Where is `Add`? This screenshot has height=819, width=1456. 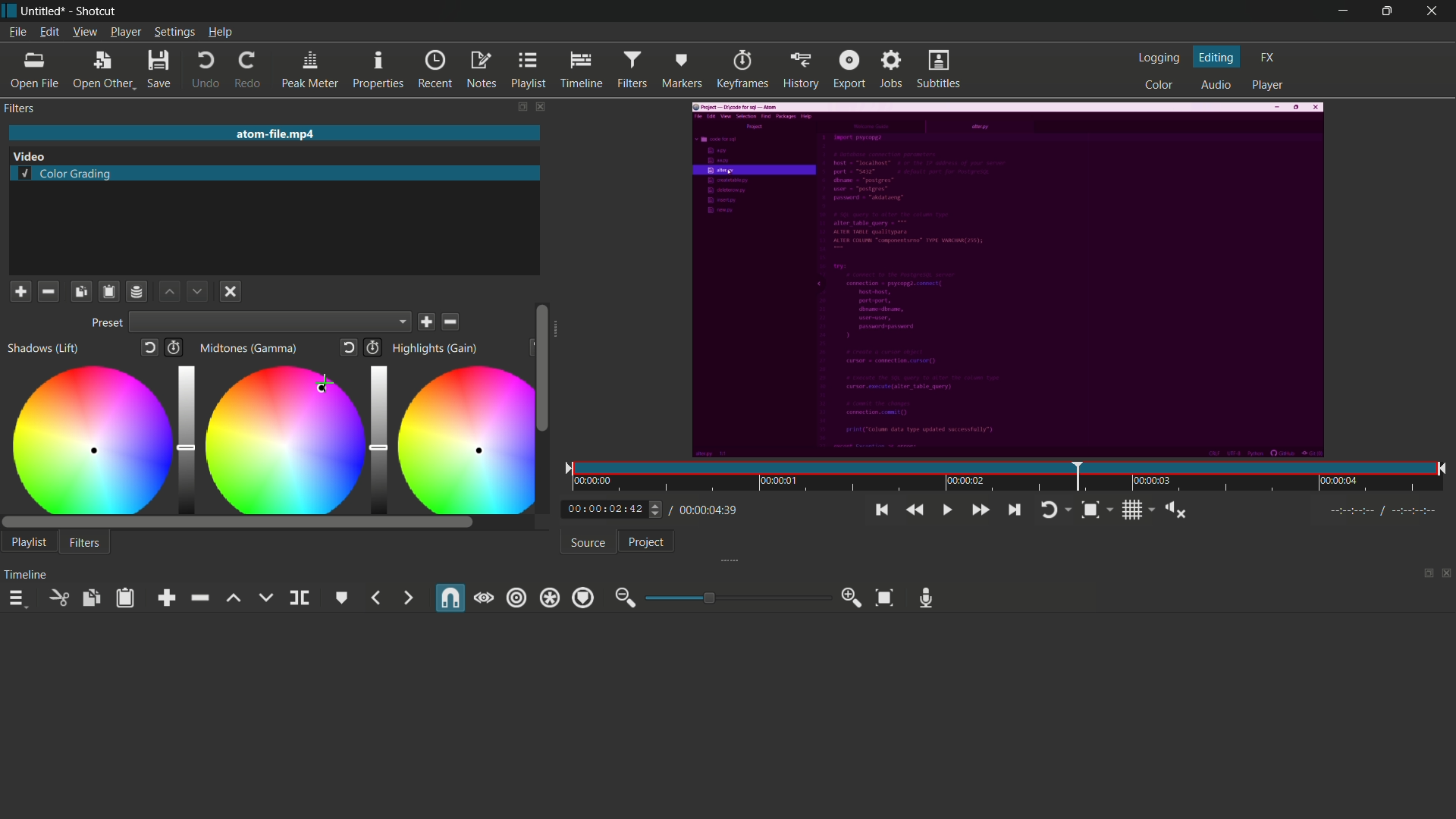 Add is located at coordinates (20, 290).